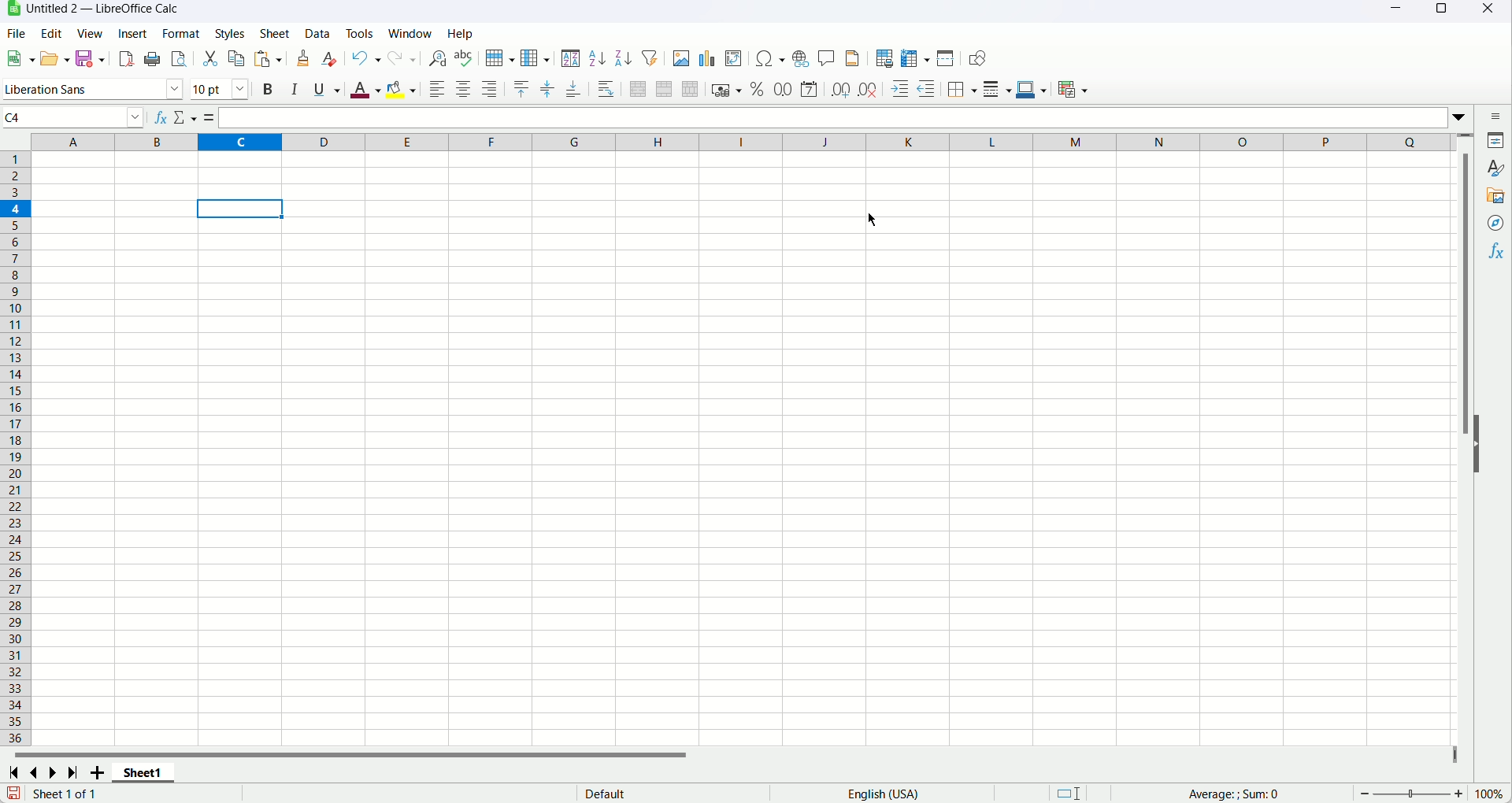 The height and width of the screenshot is (803, 1512). What do you see at coordinates (521, 90) in the screenshot?
I see `Align Top` at bounding box center [521, 90].